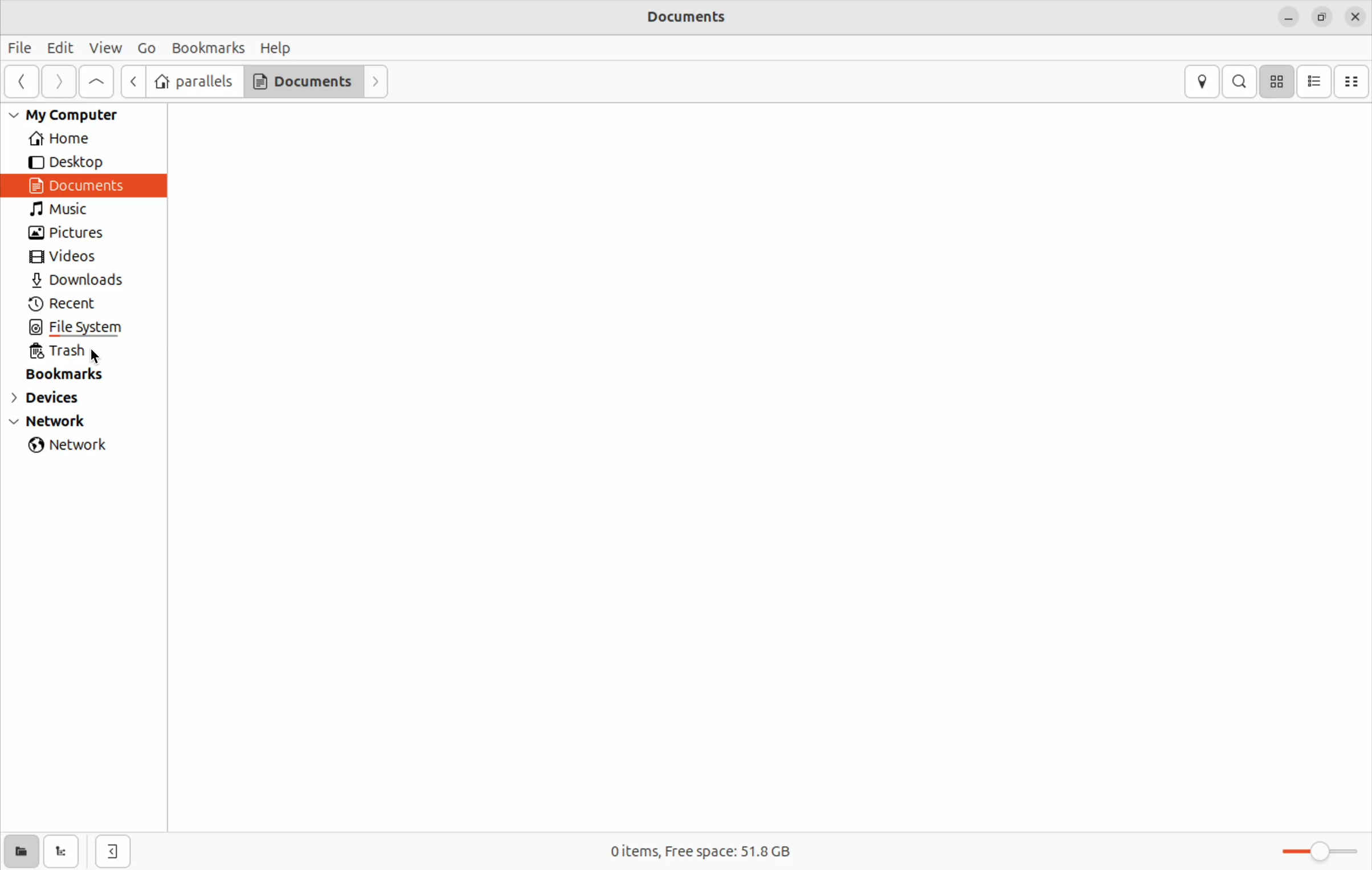 This screenshot has width=1372, height=870. What do you see at coordinates (79, 139) in the screenshot?
I see `home` at bounding box center [79, 139].